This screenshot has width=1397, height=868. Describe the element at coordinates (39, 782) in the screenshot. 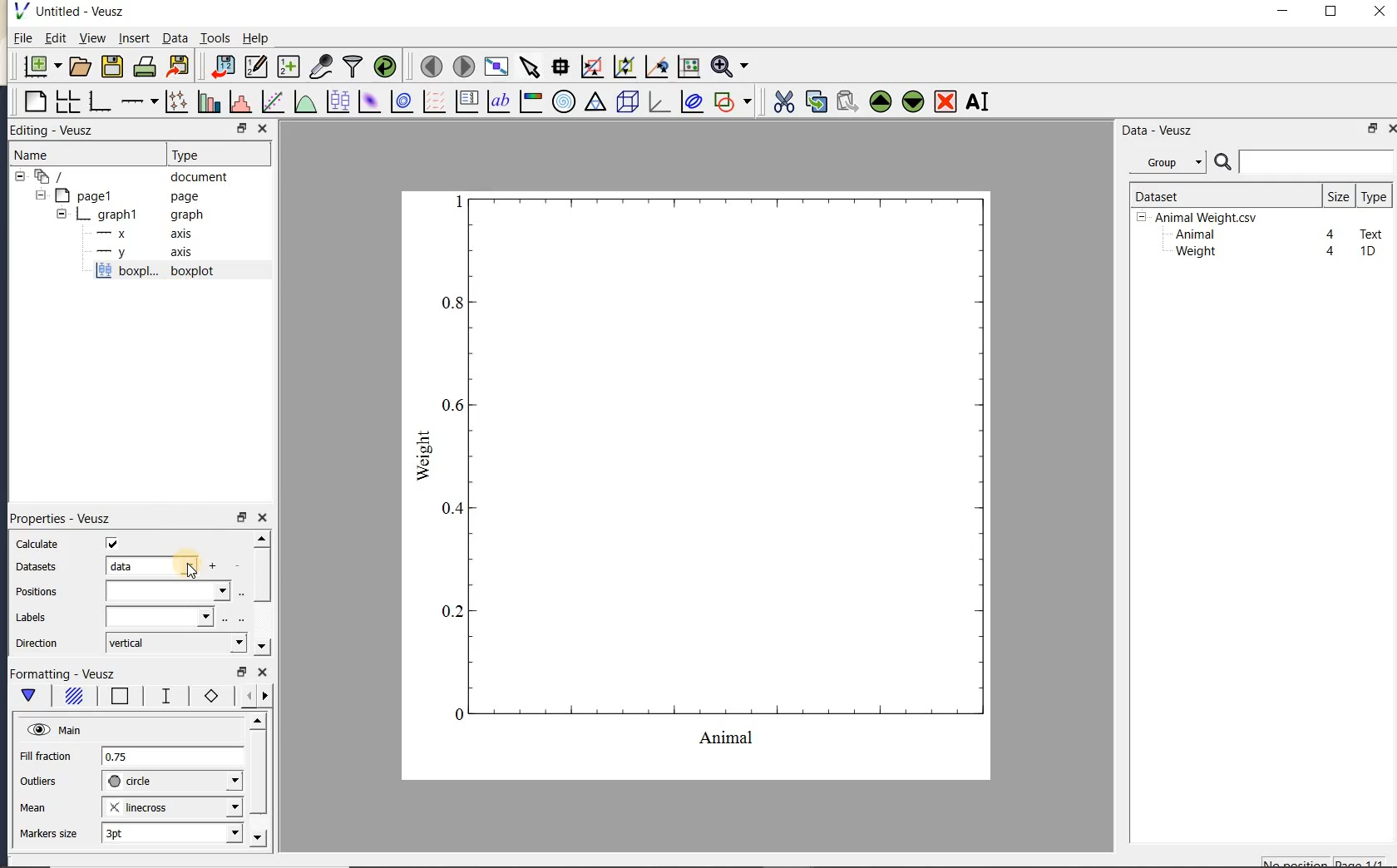

I see `outliers` at that location.